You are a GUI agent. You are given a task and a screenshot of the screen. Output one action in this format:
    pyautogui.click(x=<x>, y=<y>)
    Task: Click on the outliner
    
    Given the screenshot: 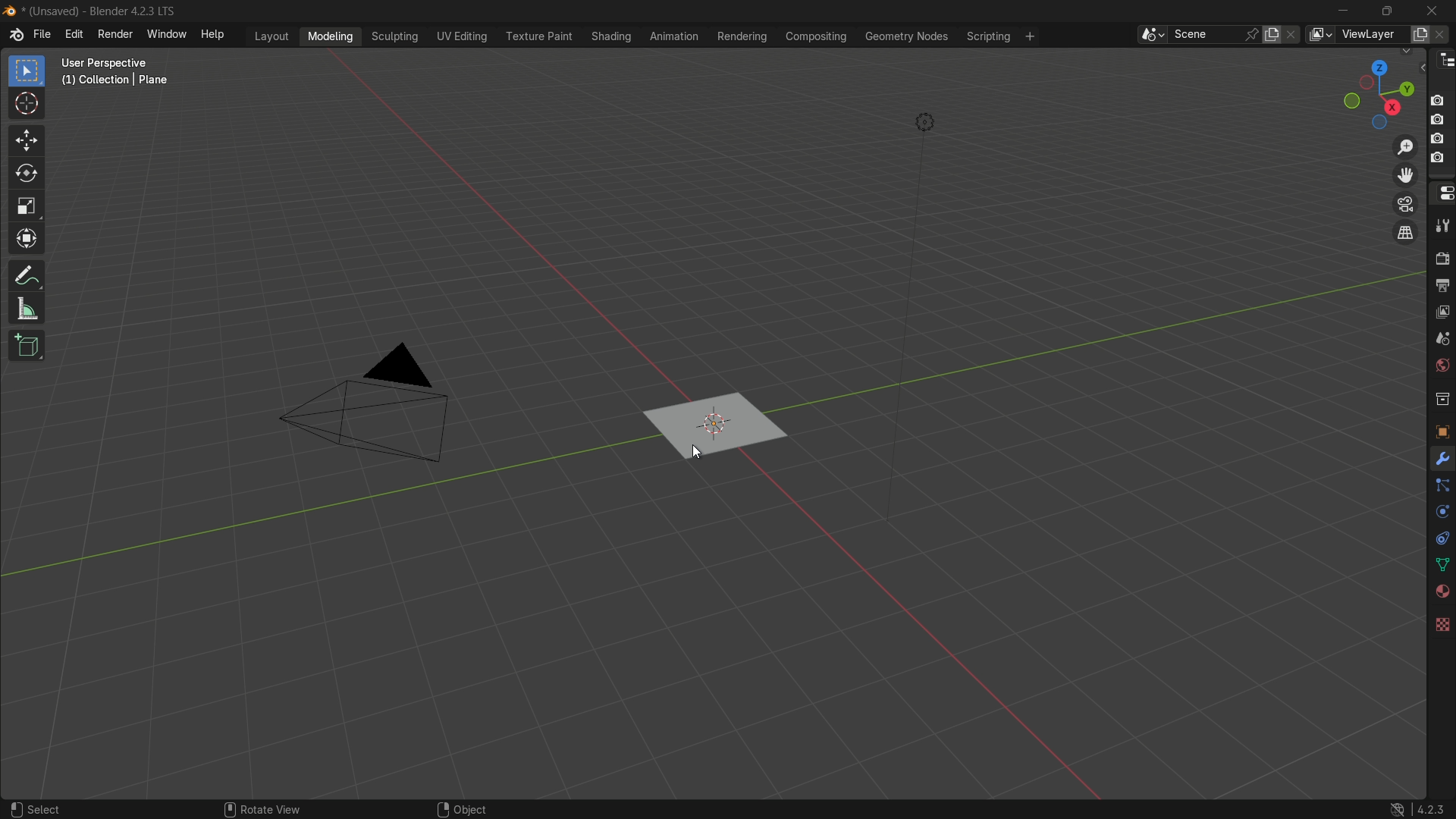 What is the action you would take?
    pyautogui.click(x=1444, y=61)
    